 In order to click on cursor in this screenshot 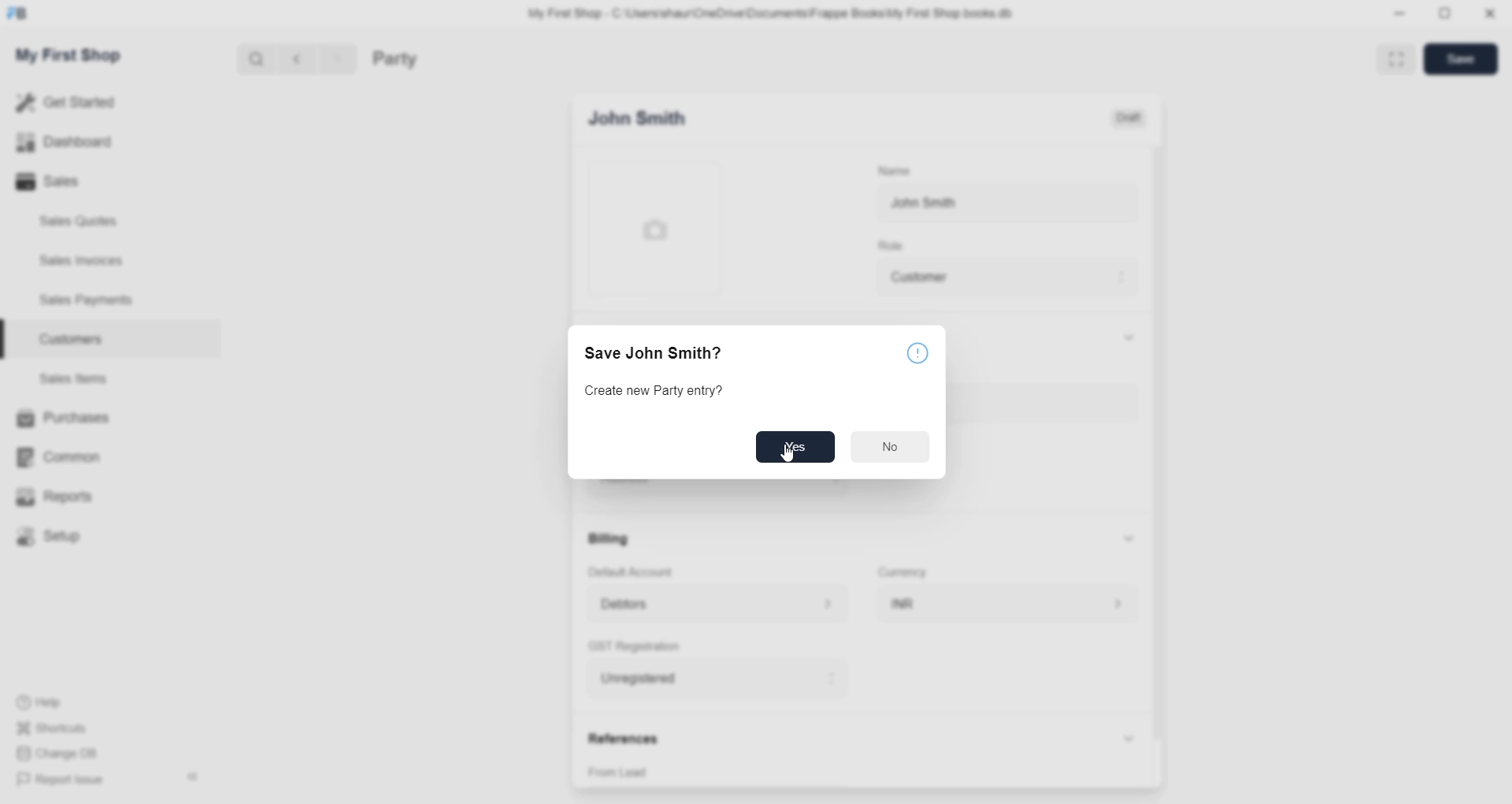, I will do `click(784, 456)`.